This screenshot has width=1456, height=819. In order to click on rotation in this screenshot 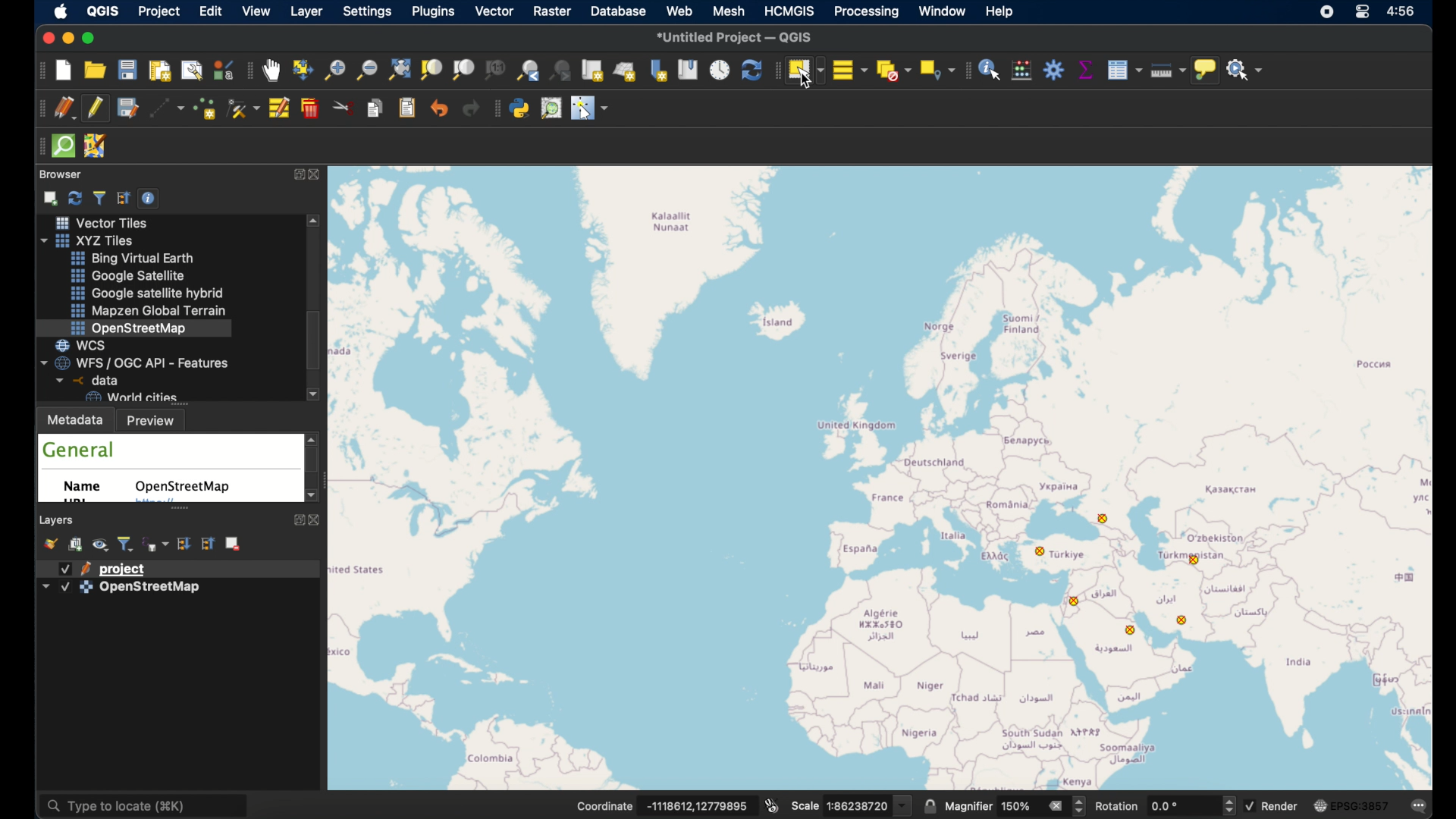, I will do `click(1119, 806)`.